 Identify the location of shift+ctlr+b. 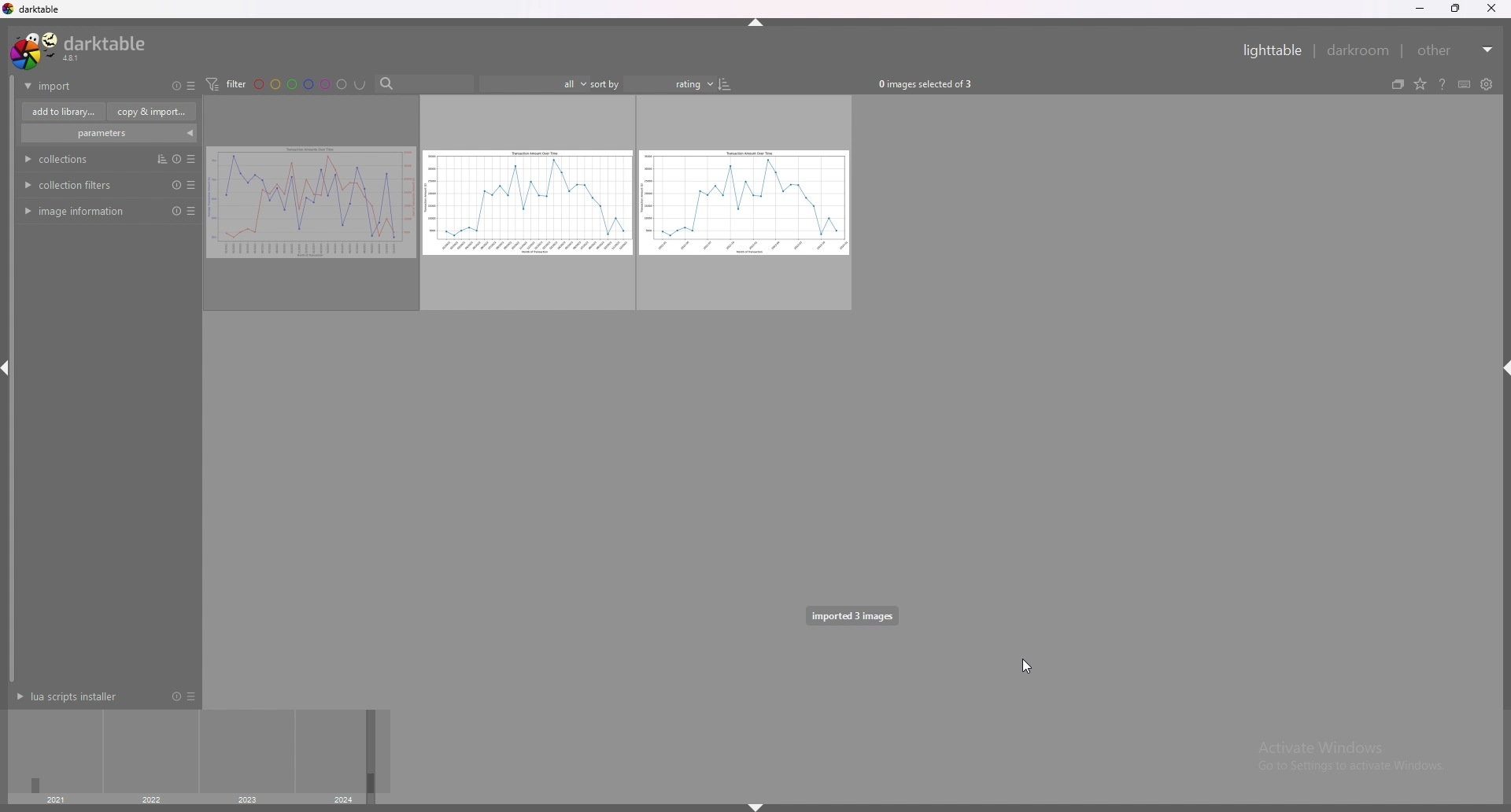
(756, 806).